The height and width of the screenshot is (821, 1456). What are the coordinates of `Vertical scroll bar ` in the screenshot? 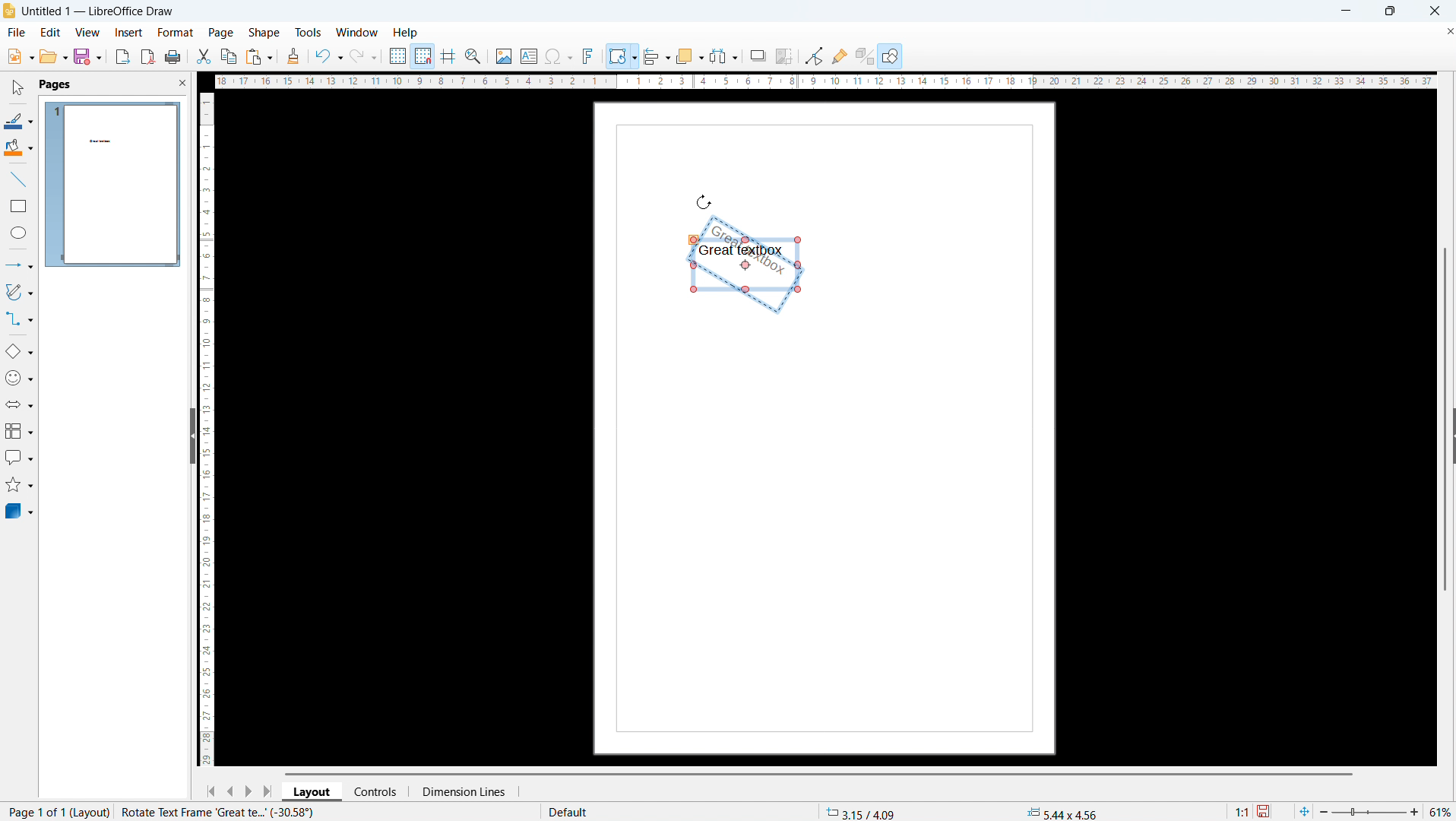 It's located at (1450, 315).